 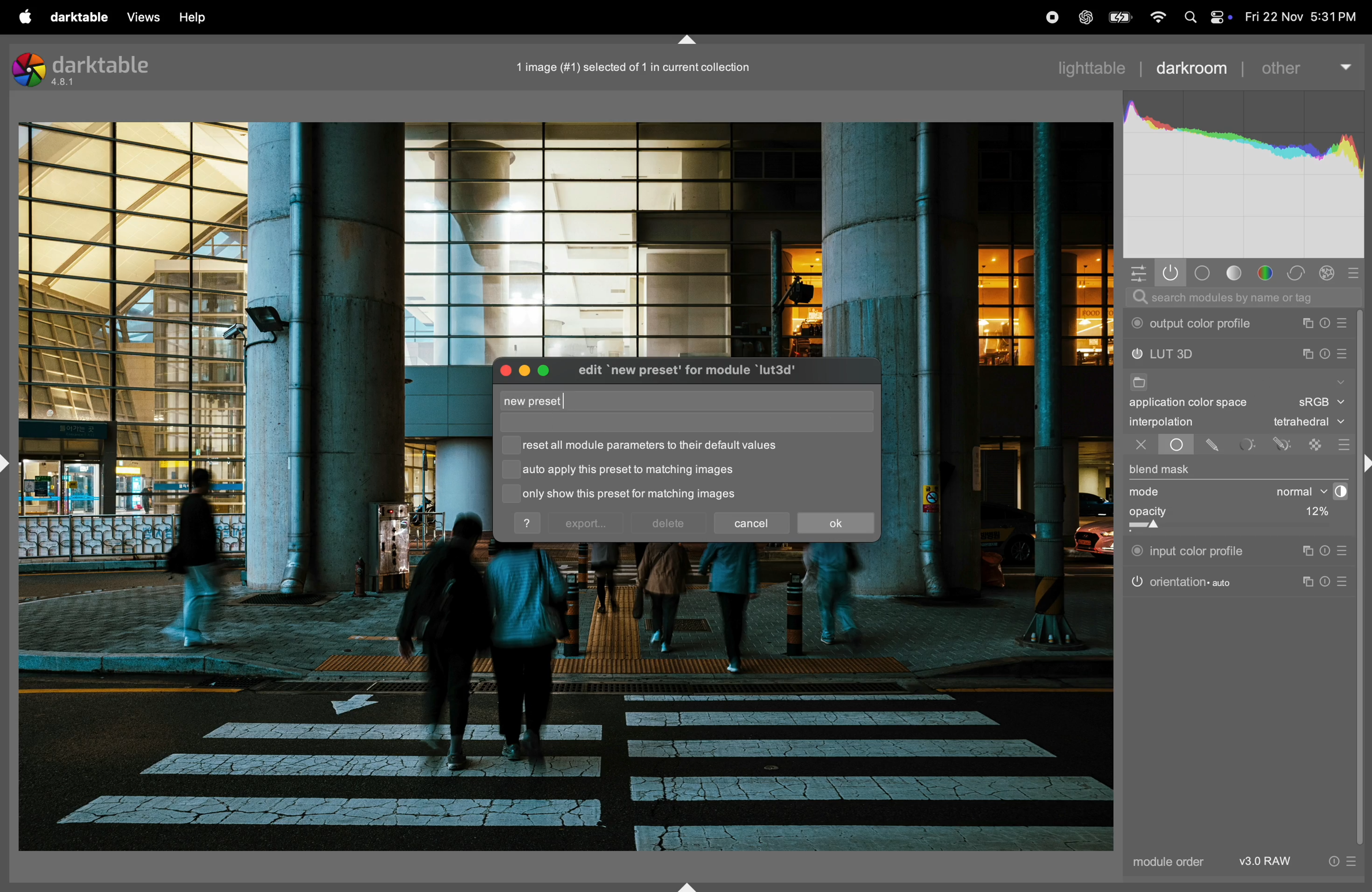 I want to click on help, so click(x=195, y=17).